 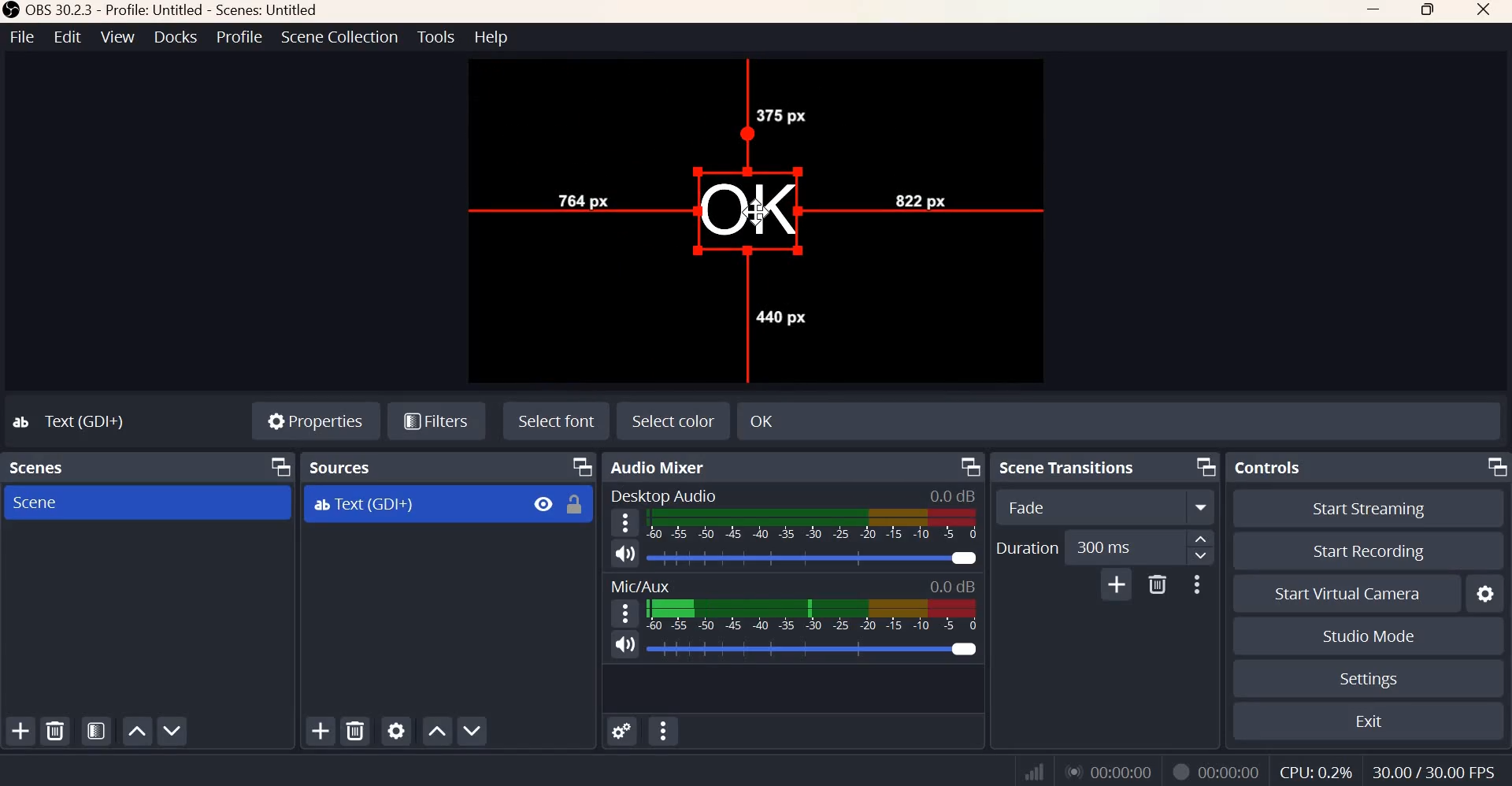 I want to click on Scene transitions, so click(x=1069, y=467).